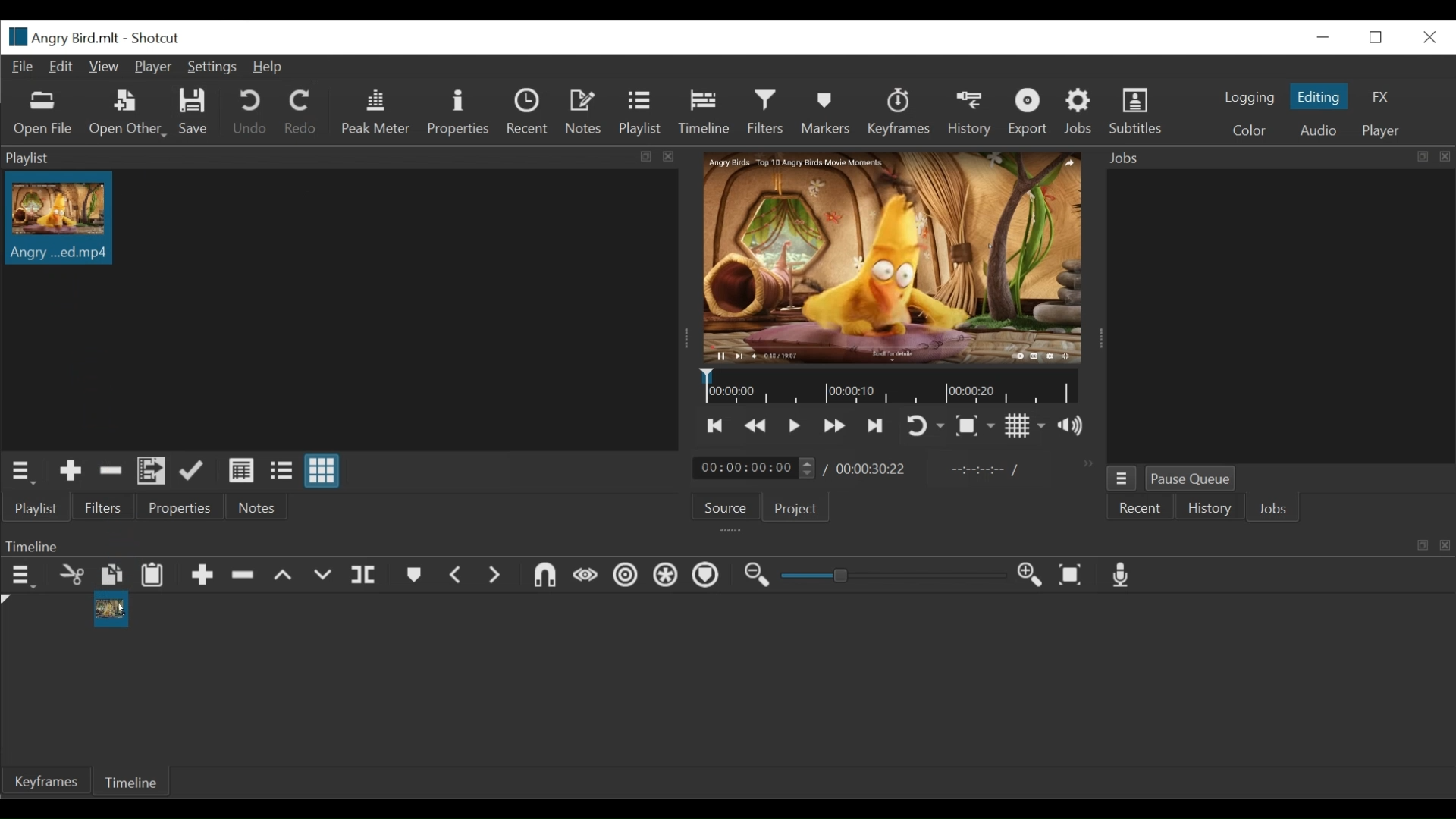 The width and height of the screenshot is (1456, 819). I want to click on Jobs menu, so click(1122, 479).